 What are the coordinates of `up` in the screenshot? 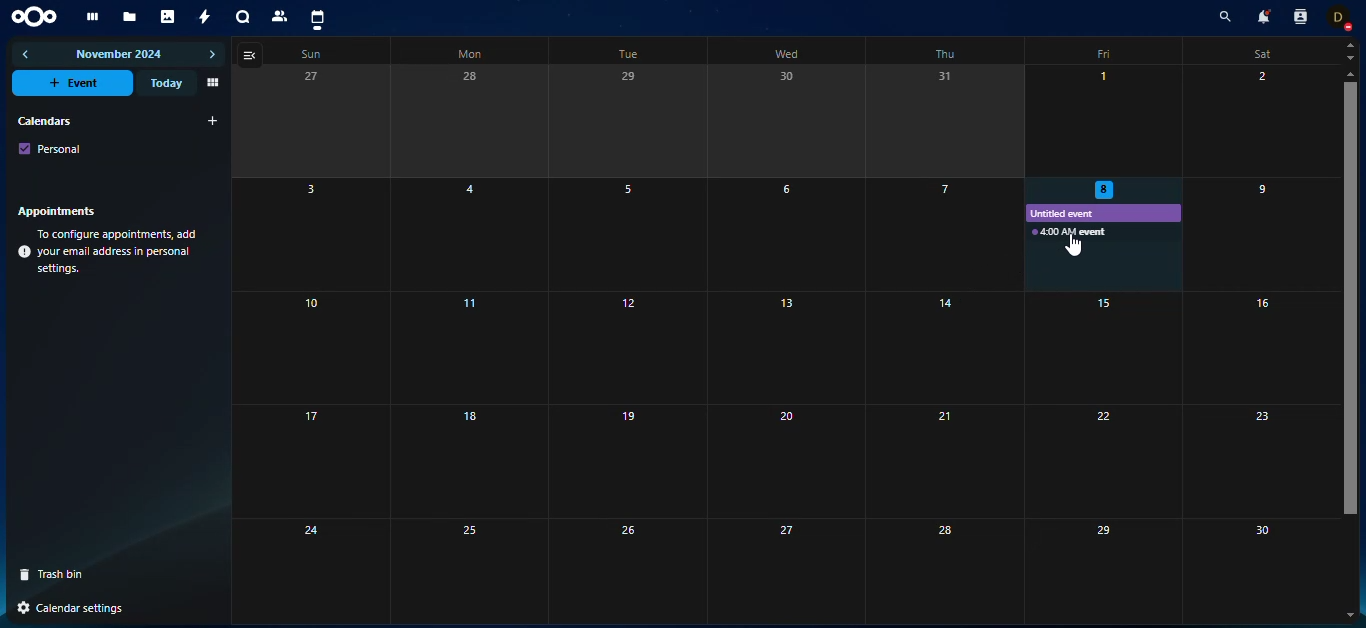 It's located at (1350, 45).